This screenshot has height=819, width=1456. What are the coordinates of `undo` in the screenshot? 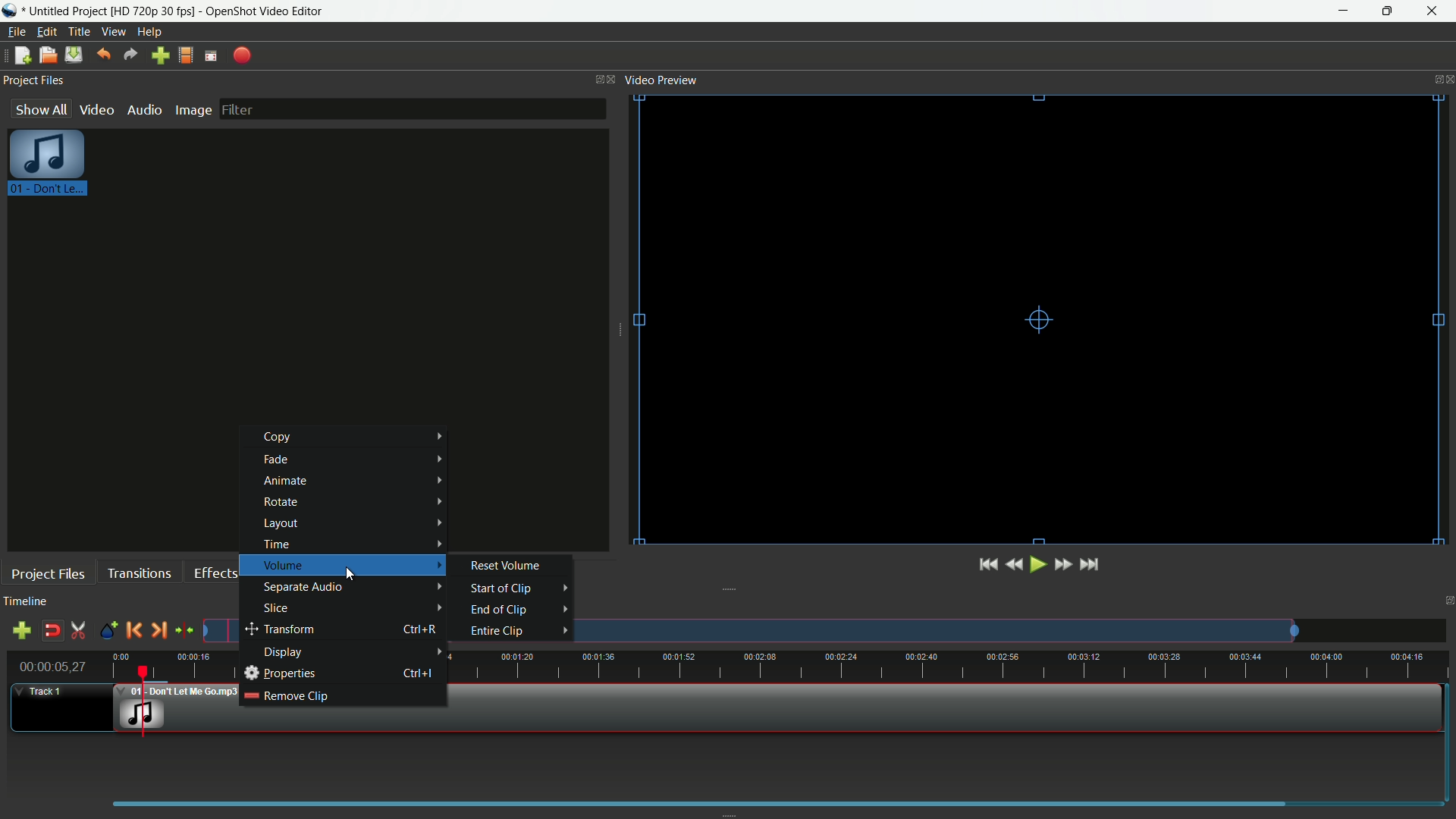 It's located at (105, 55).